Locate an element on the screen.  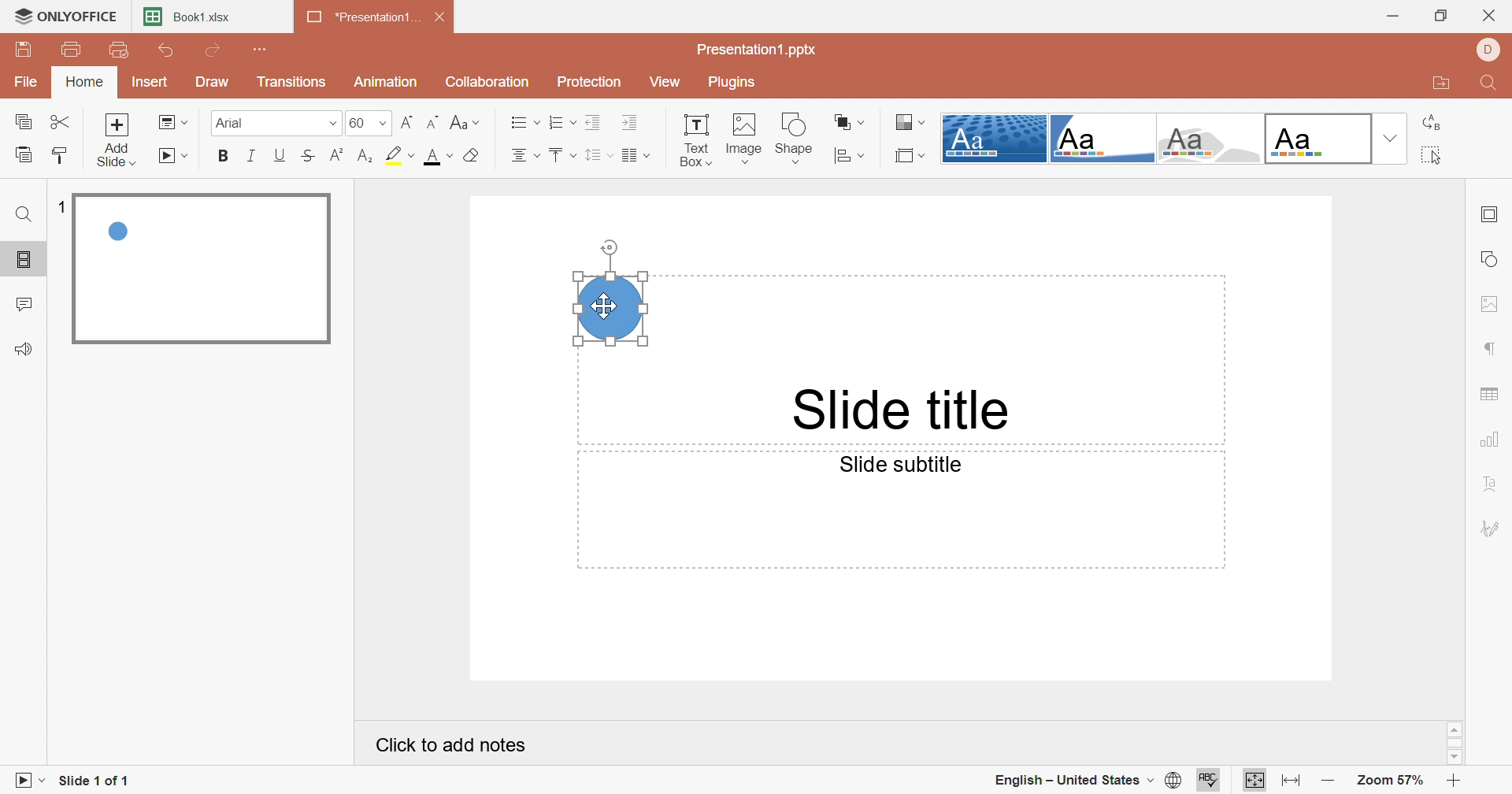
Quick print is located at coordinates (118, 50).